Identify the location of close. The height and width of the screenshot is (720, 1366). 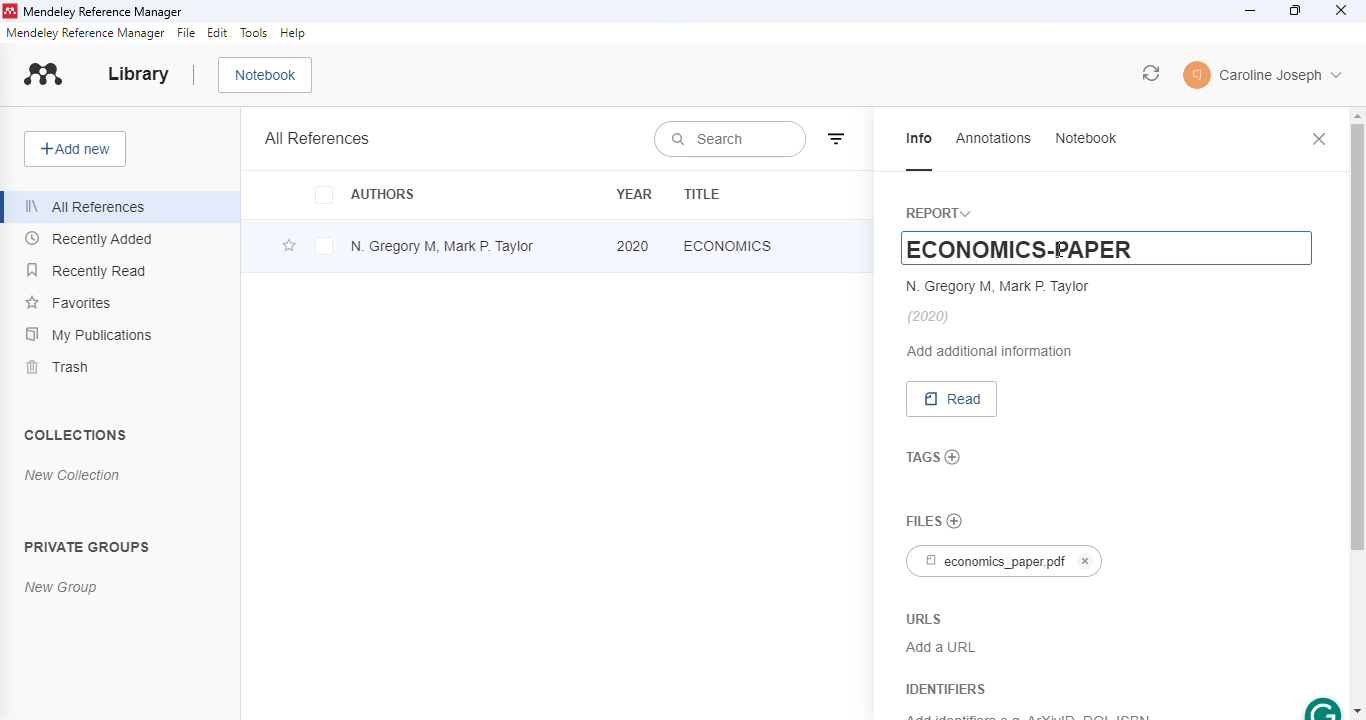
(1341, 10).